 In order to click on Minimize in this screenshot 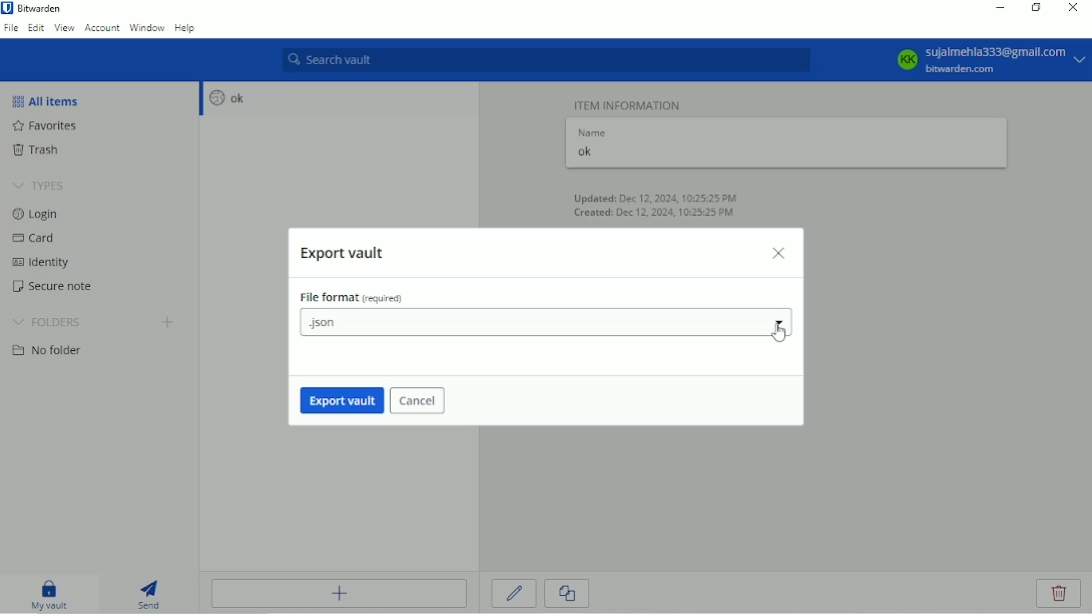, I will do `click(997, 8)`.